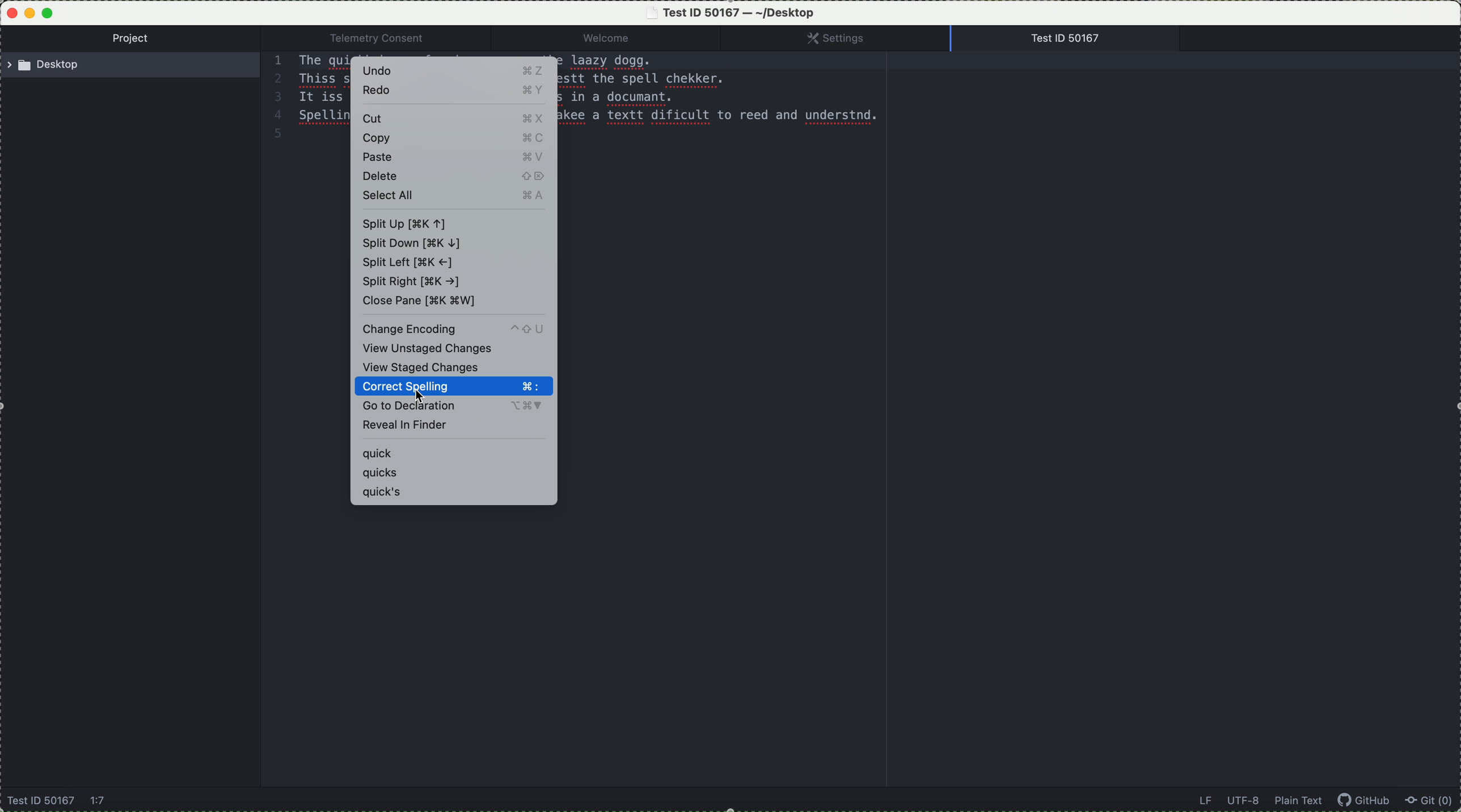 The width and height of the screenshot is (1461, 812). I want to click on view staged changes, so click(425, 368).